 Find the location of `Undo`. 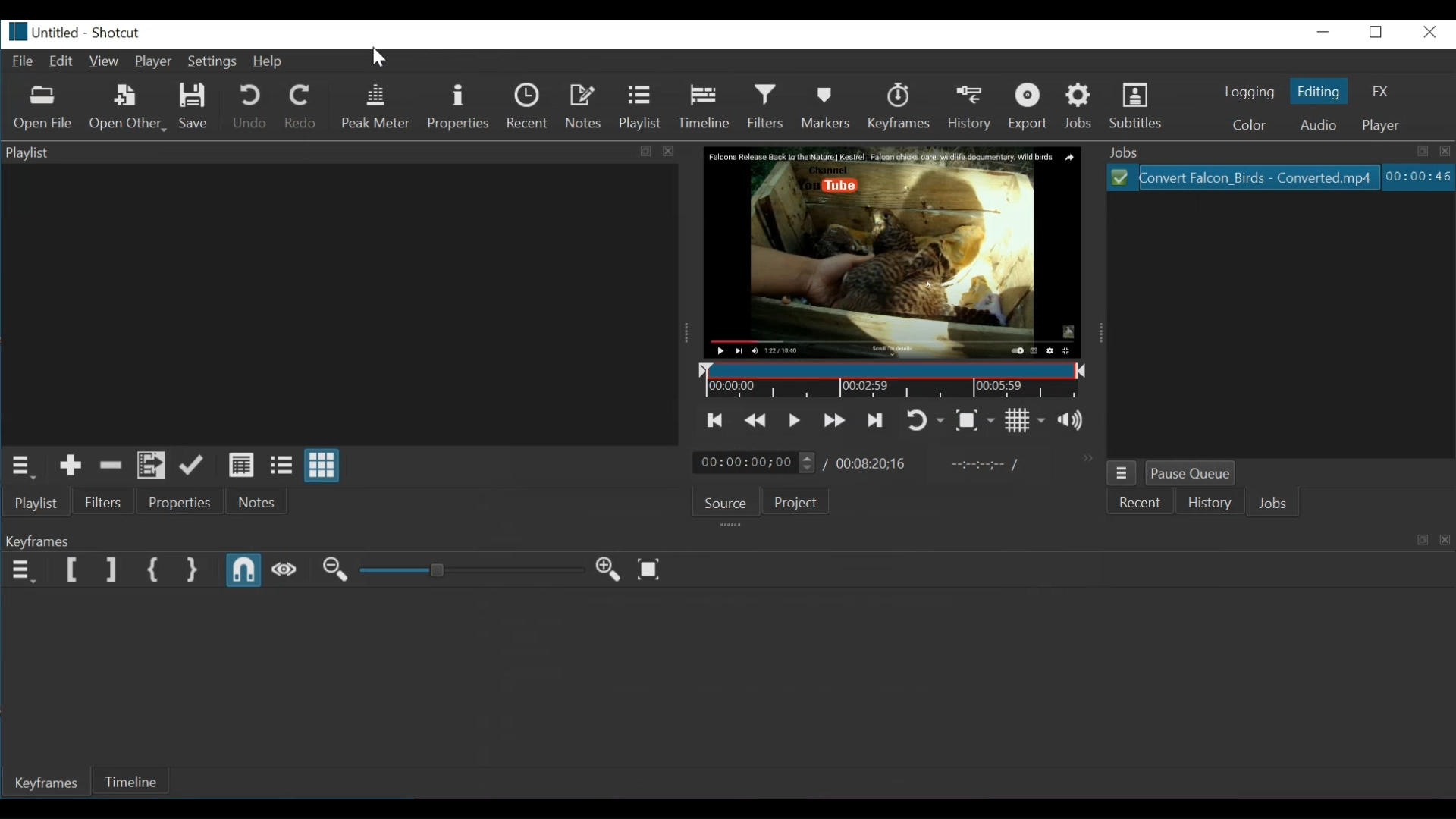

Undo is located at coordinates (251, 107).